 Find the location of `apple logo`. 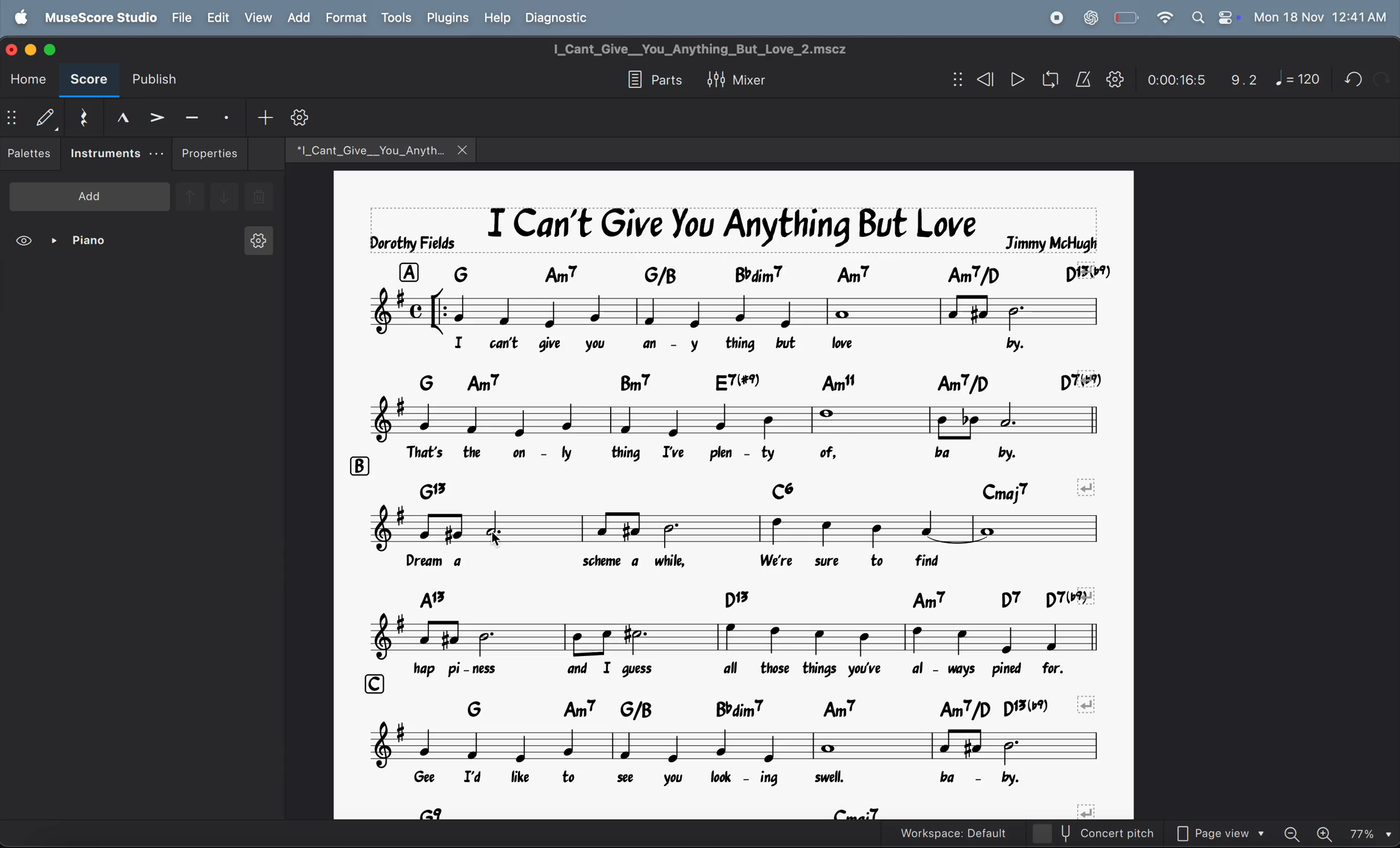

apple logo is located at coordinates (18, 18).